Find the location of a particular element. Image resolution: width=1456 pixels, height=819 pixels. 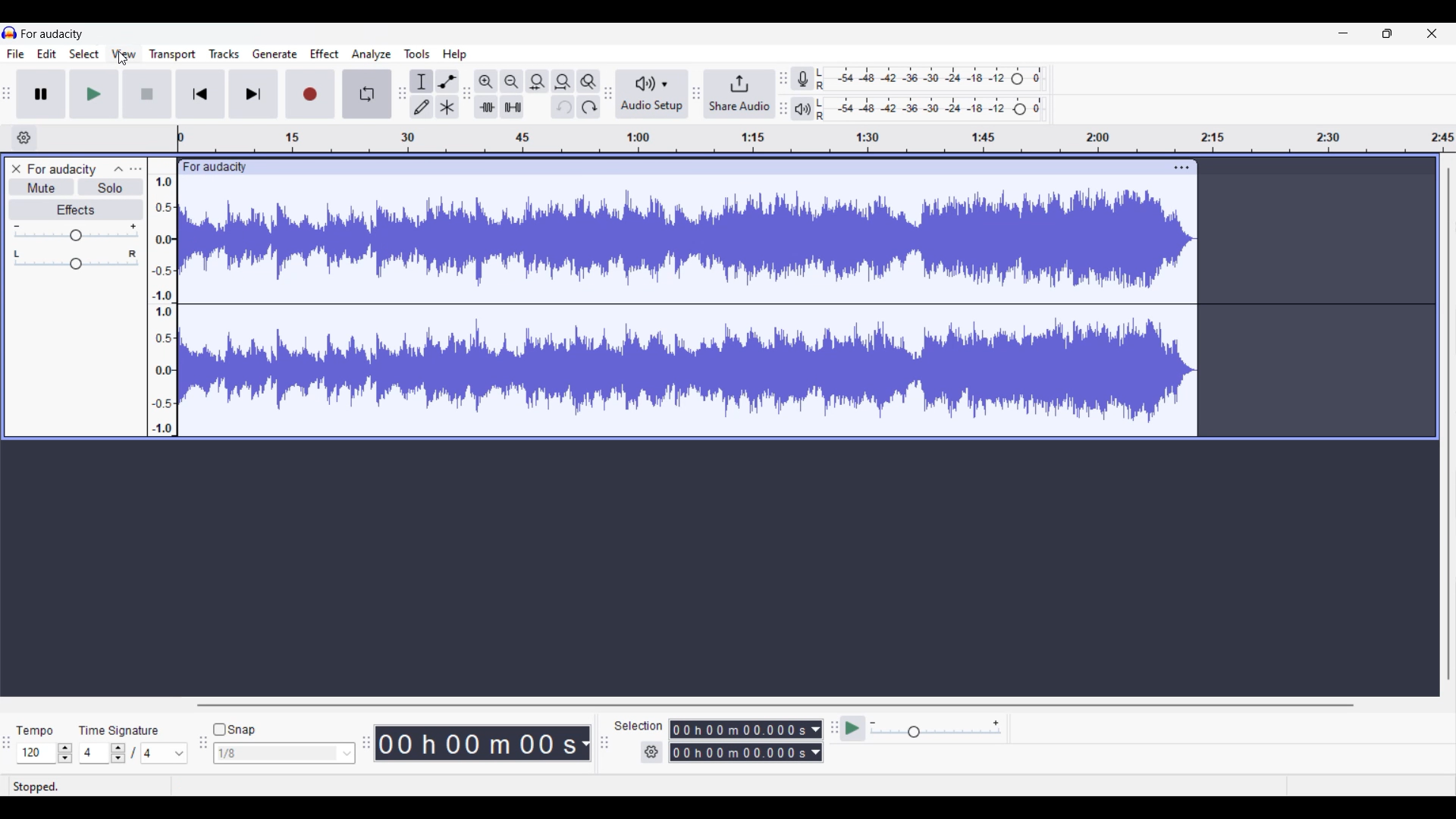

Selection tool is located at coordinates (422, 82).